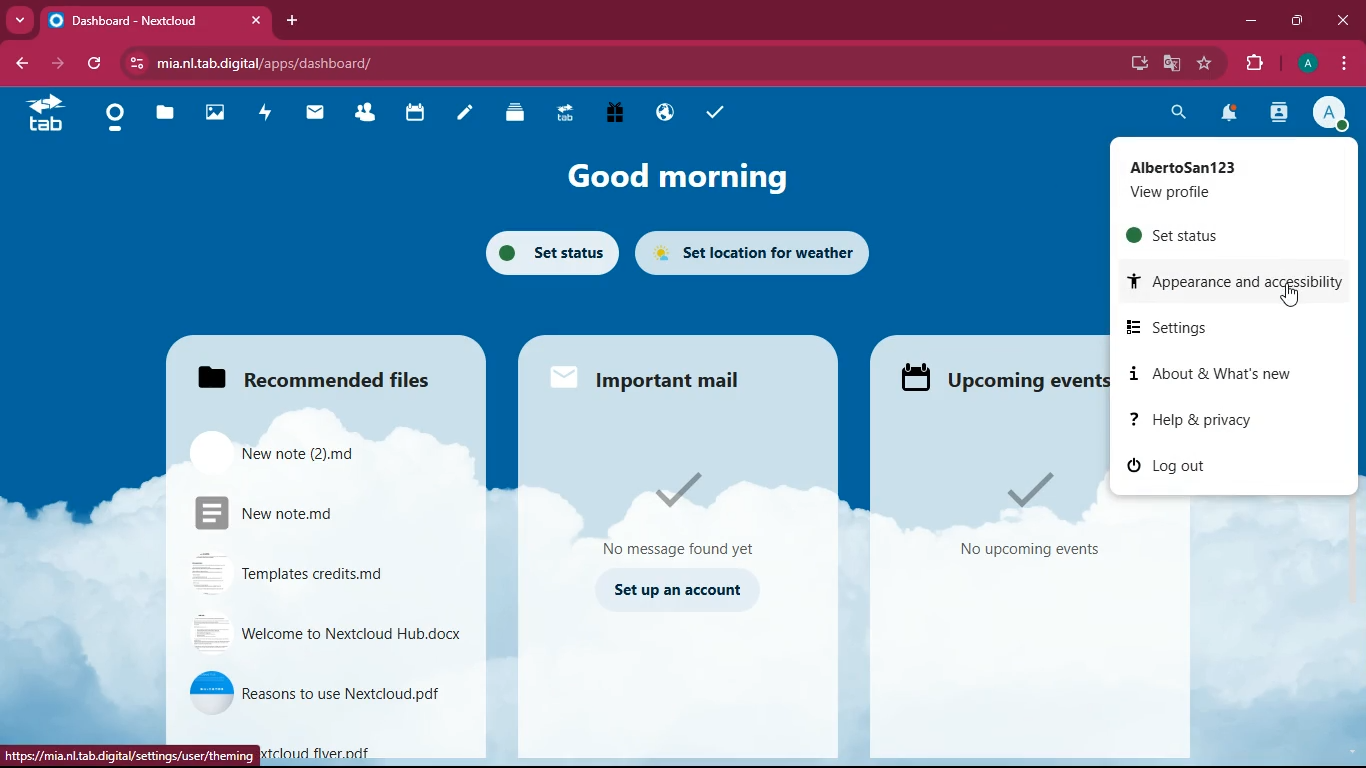 This screenshot has width=1366, height=768. I want to click on refresh, so click(100, 65).